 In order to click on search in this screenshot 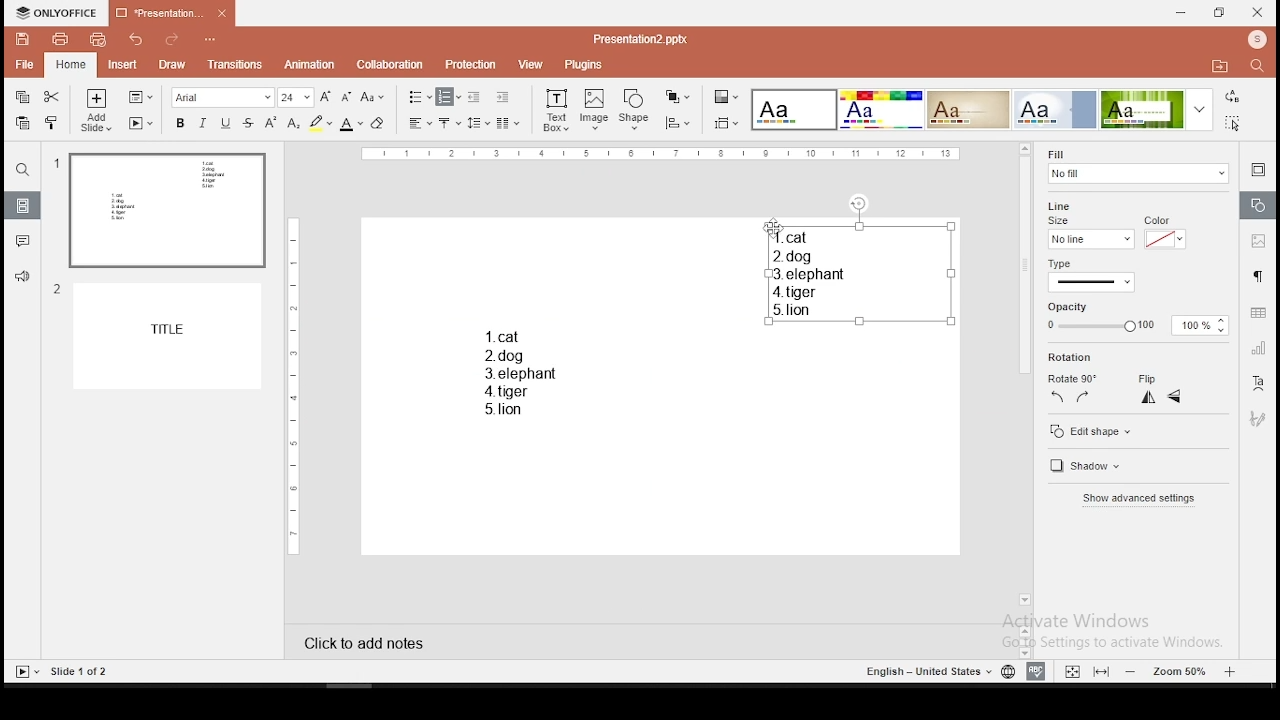, I will do `click(1261, 68)`.